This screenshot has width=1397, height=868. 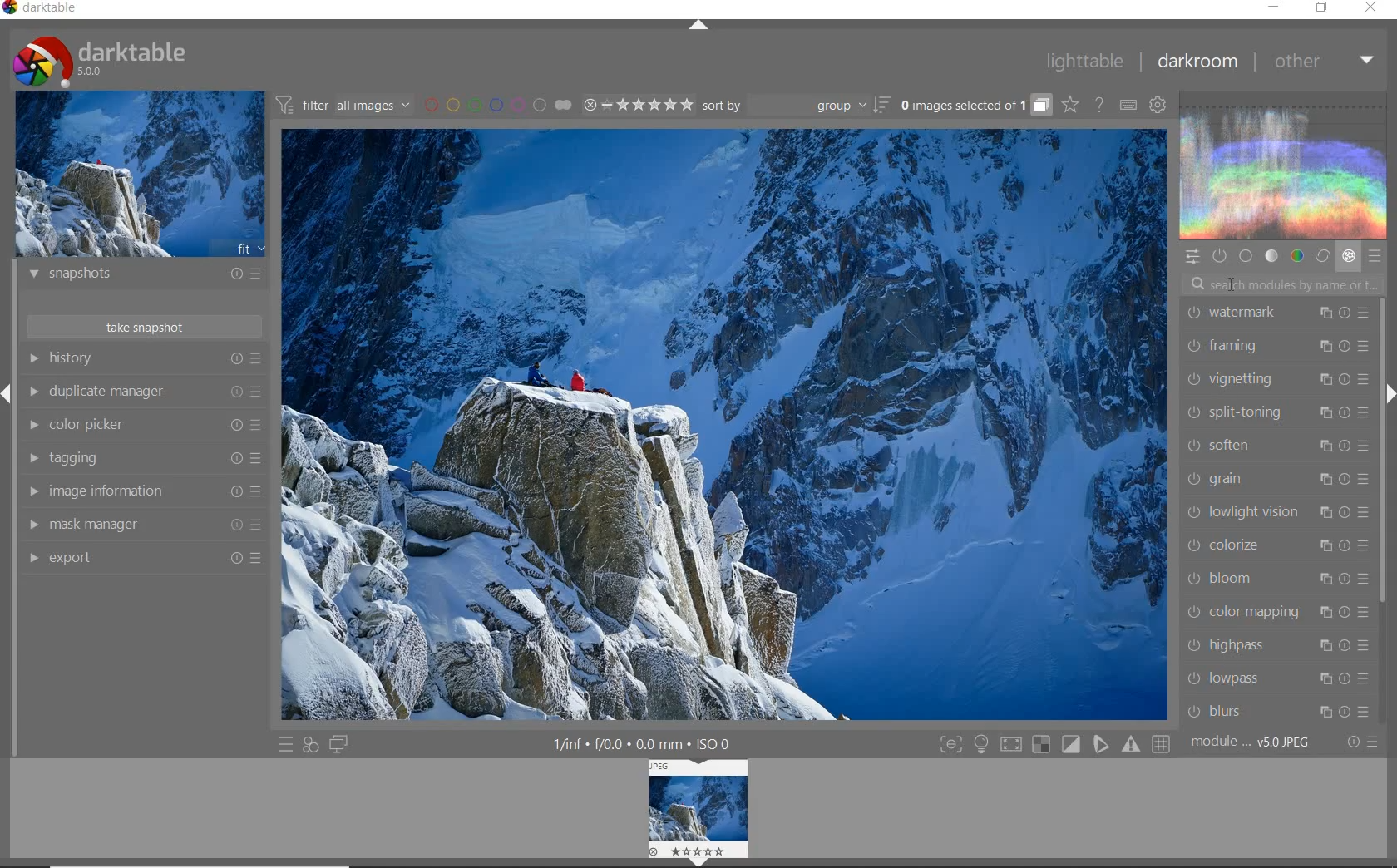 What do you see at coordinates (143, 459) in the screenshot?
I see `tagging` at bounding box center [143, 459].